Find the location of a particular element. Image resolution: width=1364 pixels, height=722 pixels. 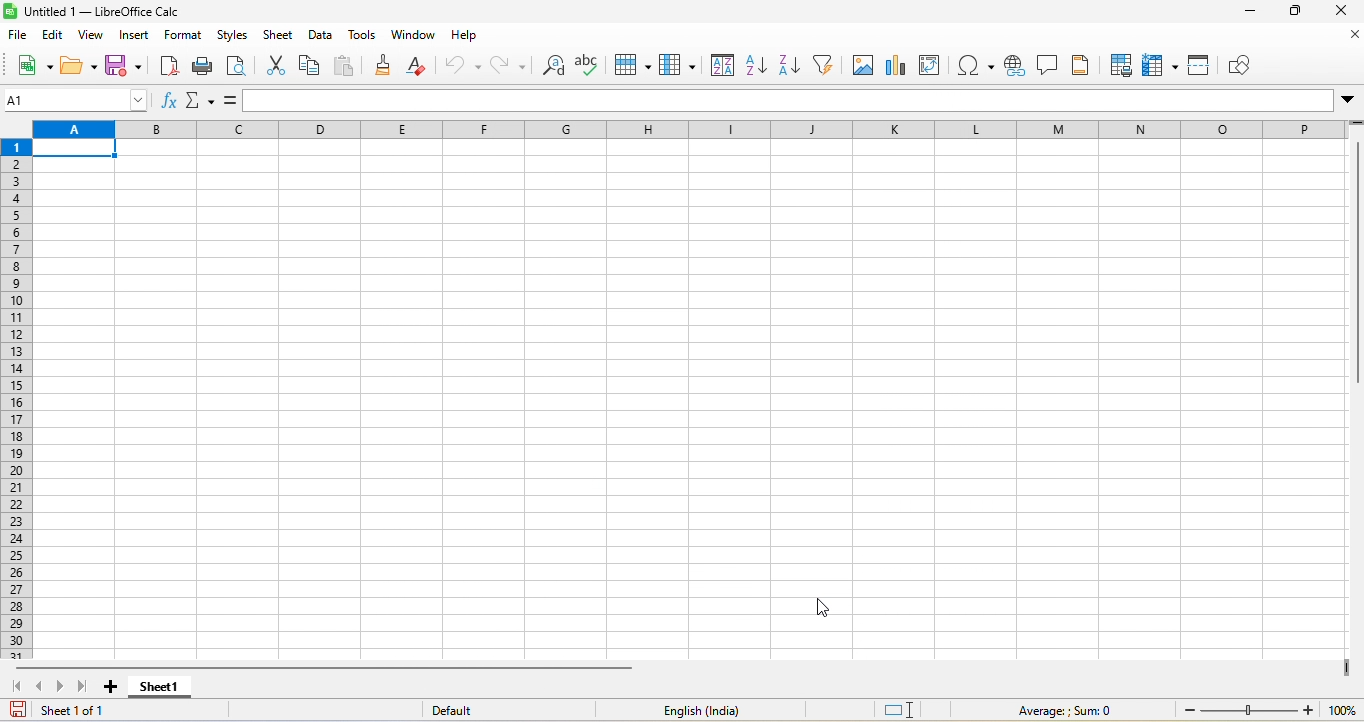

add sheet is located at coordinates (110, 685).